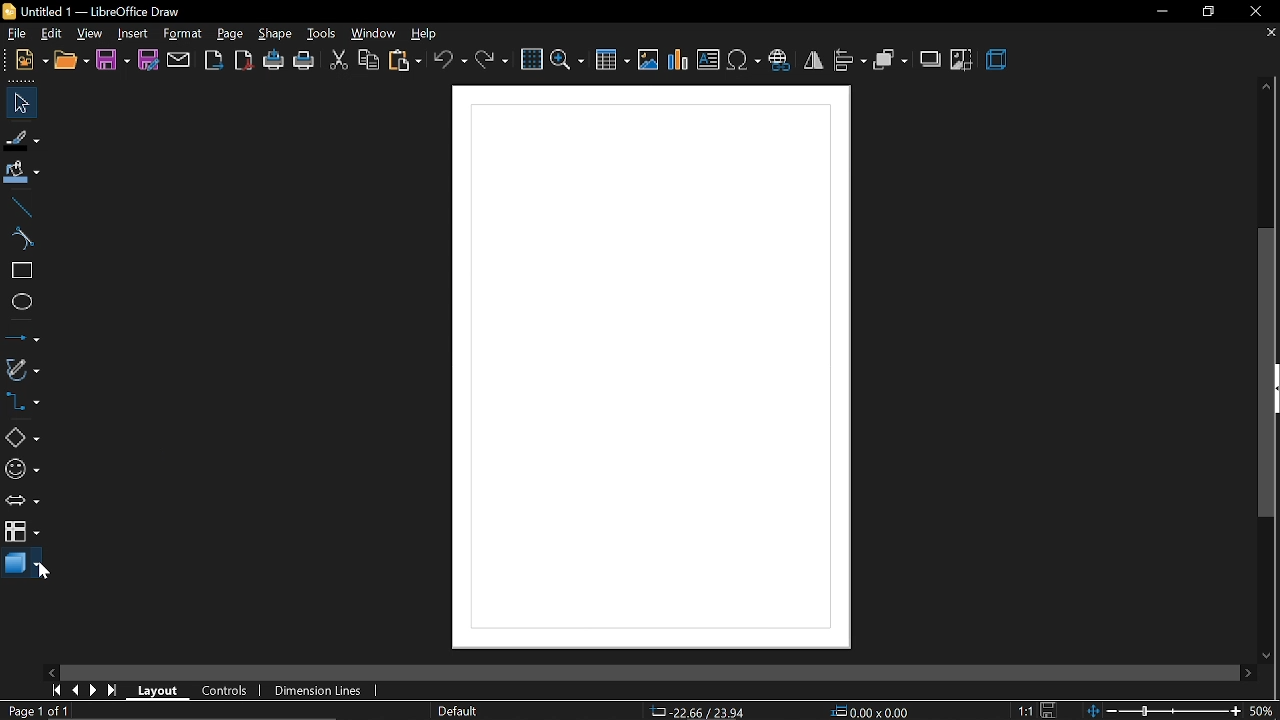 This screenshot has width=1280, height=720. I want to click on new, so click(30, 60).